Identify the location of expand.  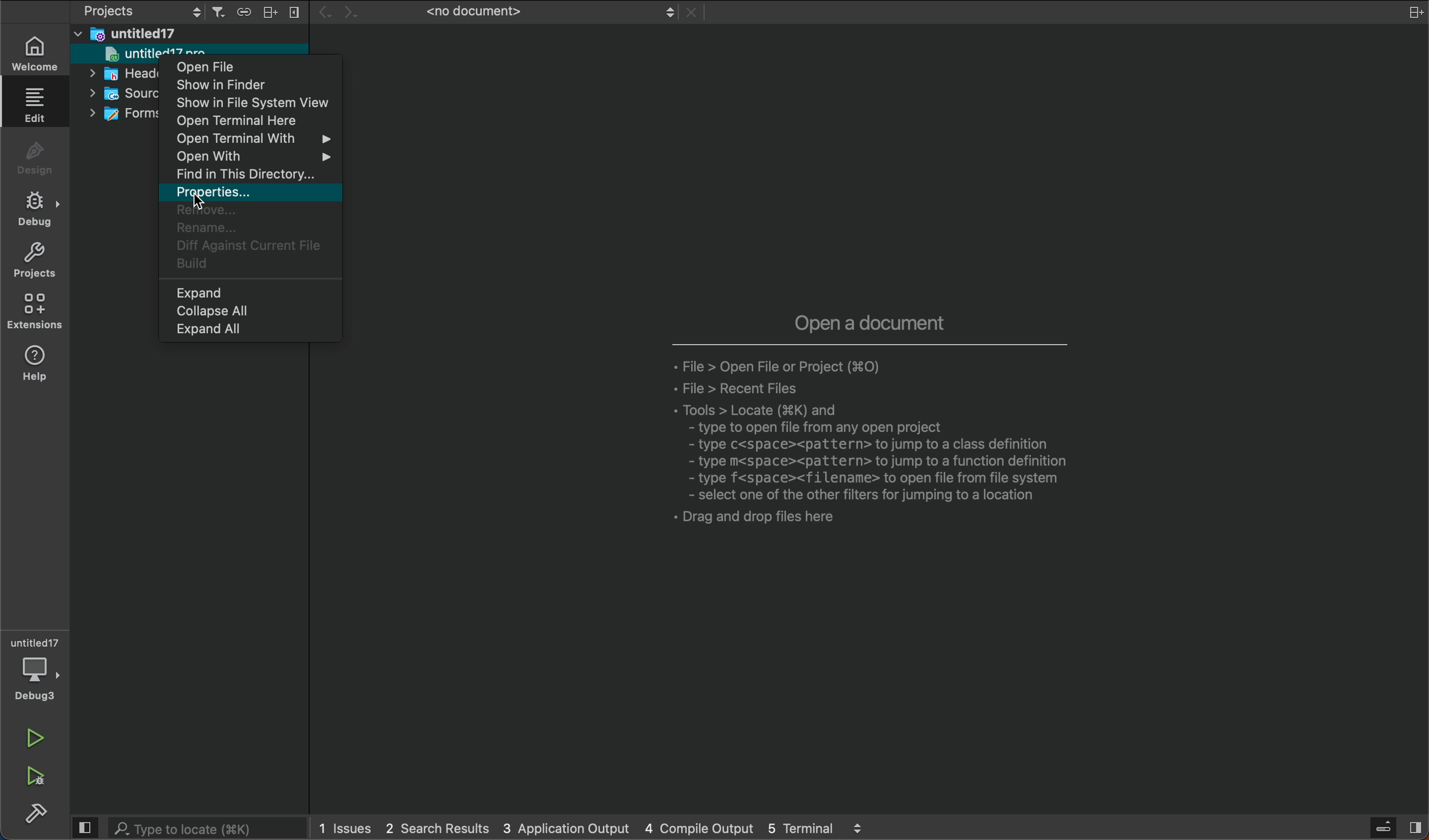
(248, 292).